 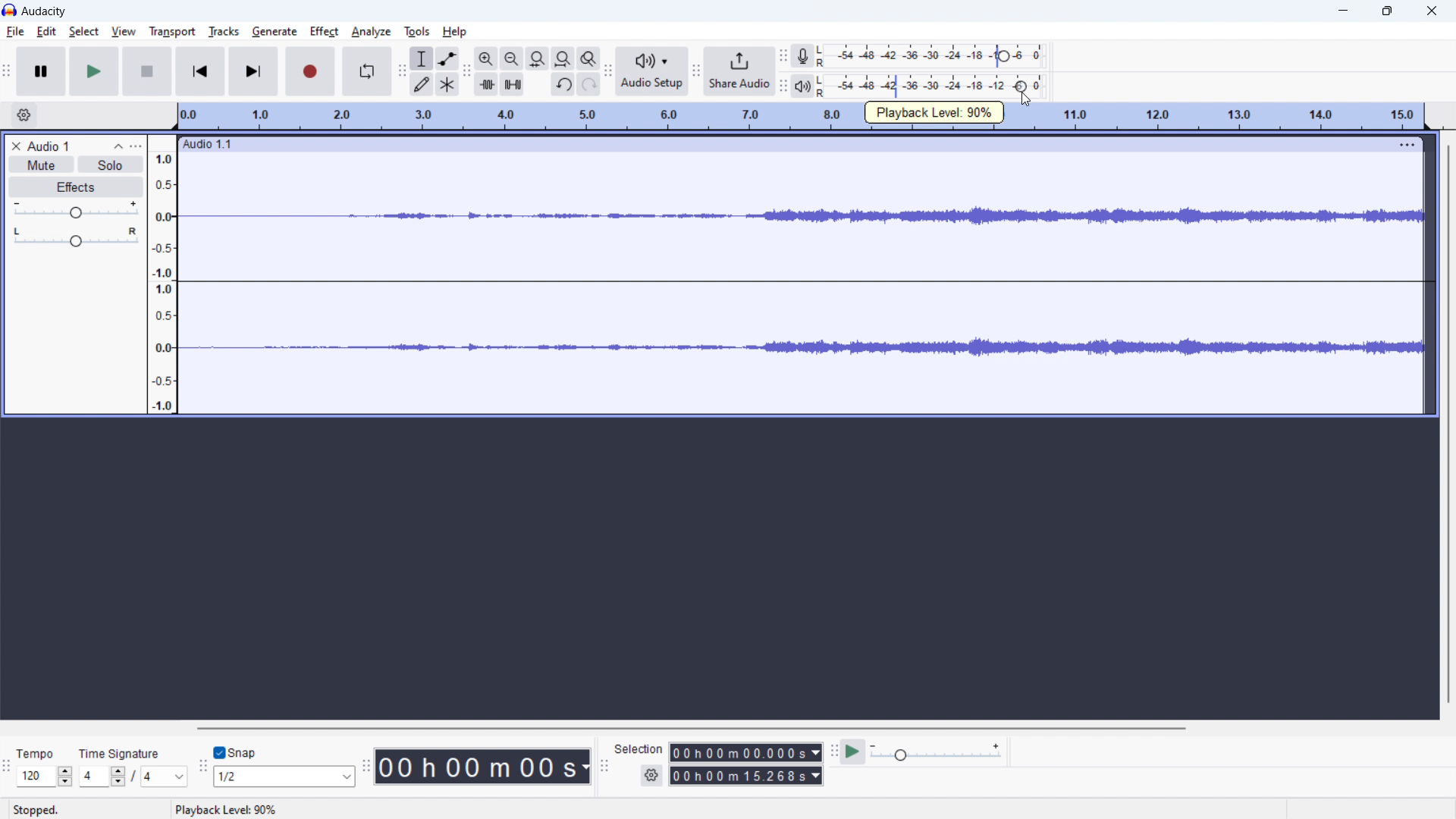 I want to click on timeline settings, so click(x=22, y=114).